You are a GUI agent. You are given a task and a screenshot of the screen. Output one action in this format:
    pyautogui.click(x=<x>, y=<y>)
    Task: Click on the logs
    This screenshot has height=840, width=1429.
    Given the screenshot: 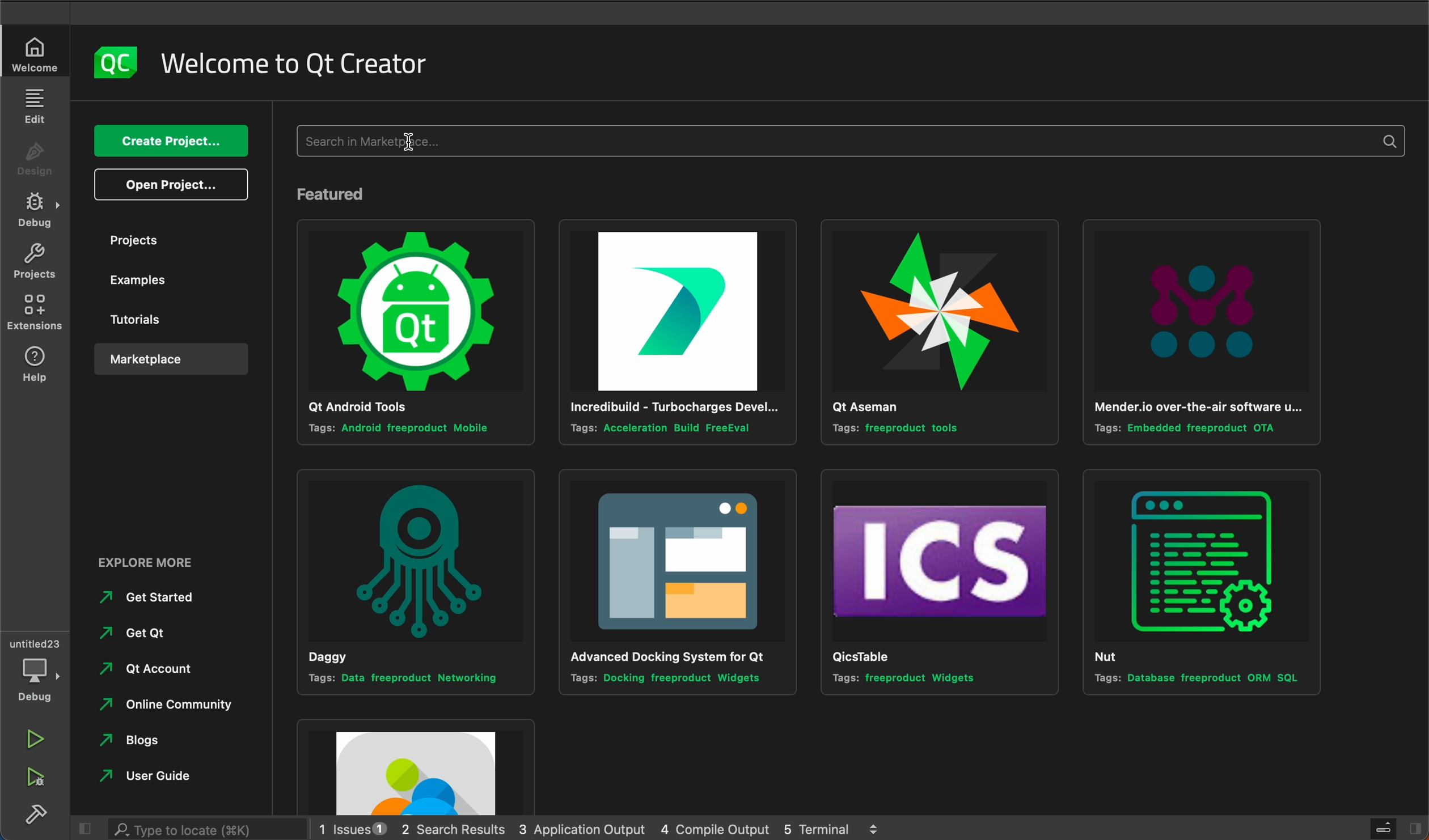 What is the action you would take?
    pyautogui.click(x=615, y=828)
    